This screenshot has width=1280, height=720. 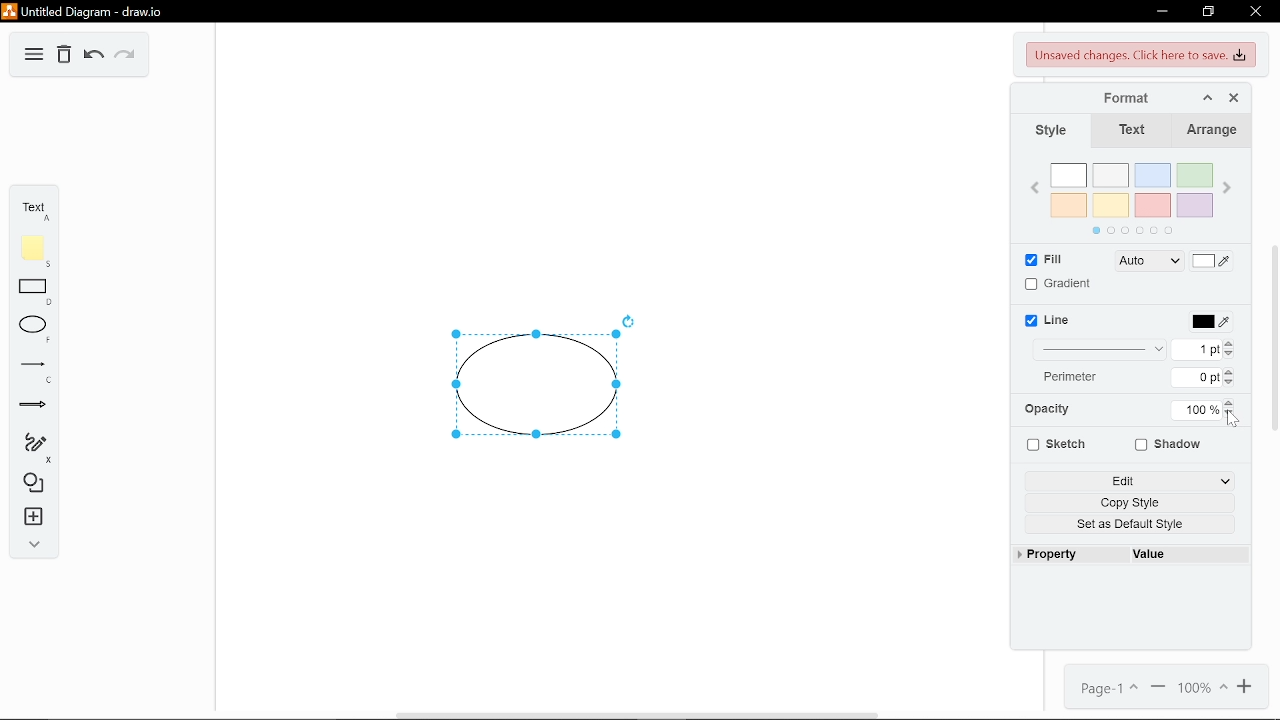 I want to click on Set as Default Style, so click(x=1133, y=524).